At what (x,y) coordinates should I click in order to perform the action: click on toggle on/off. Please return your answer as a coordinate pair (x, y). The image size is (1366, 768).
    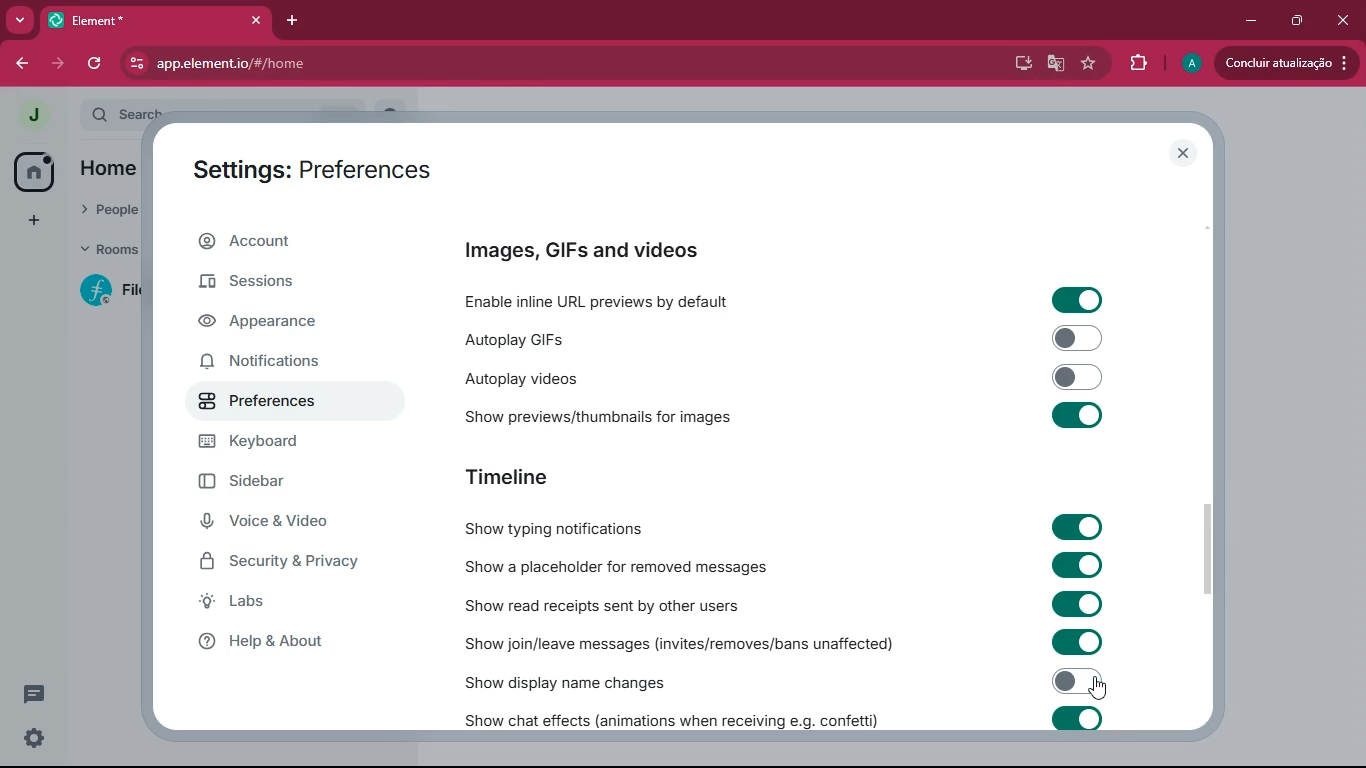
    Looking at the image, I should click on (1079, 565).